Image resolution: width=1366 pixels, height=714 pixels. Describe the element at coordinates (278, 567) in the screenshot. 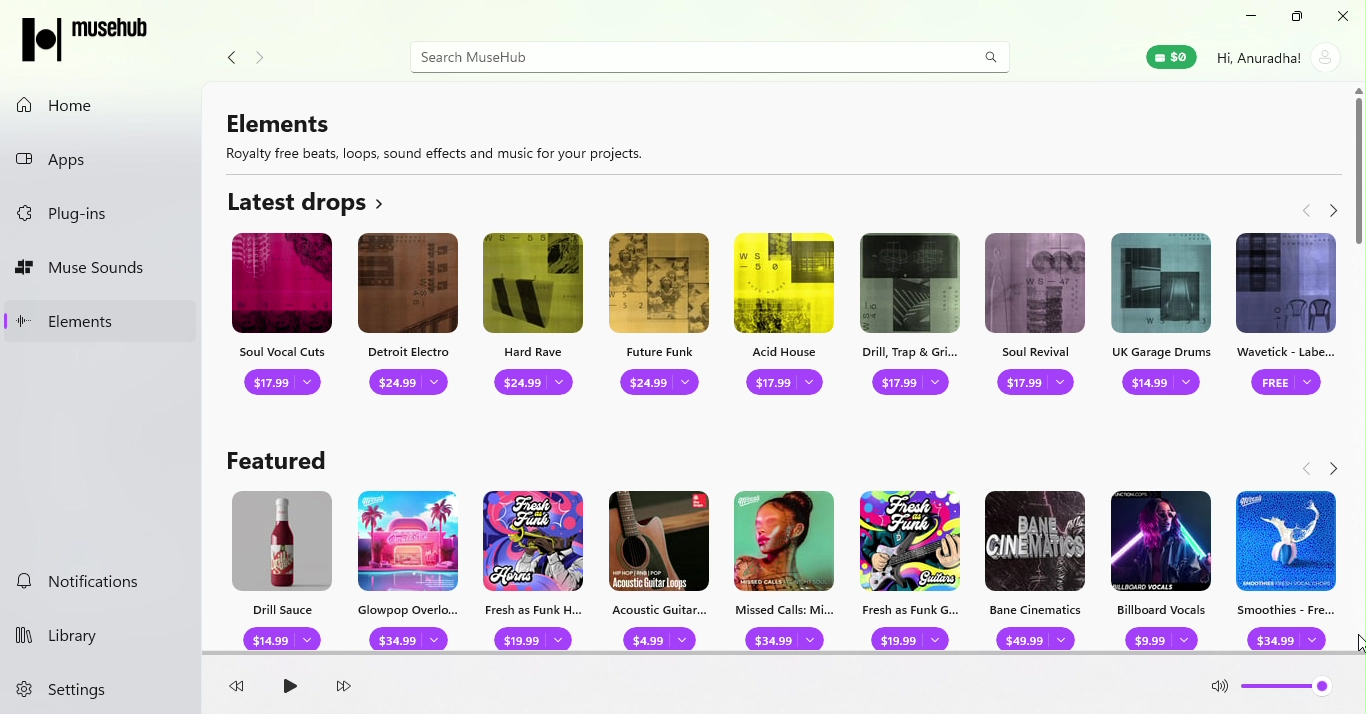

I see `Drill sauce` at that location.